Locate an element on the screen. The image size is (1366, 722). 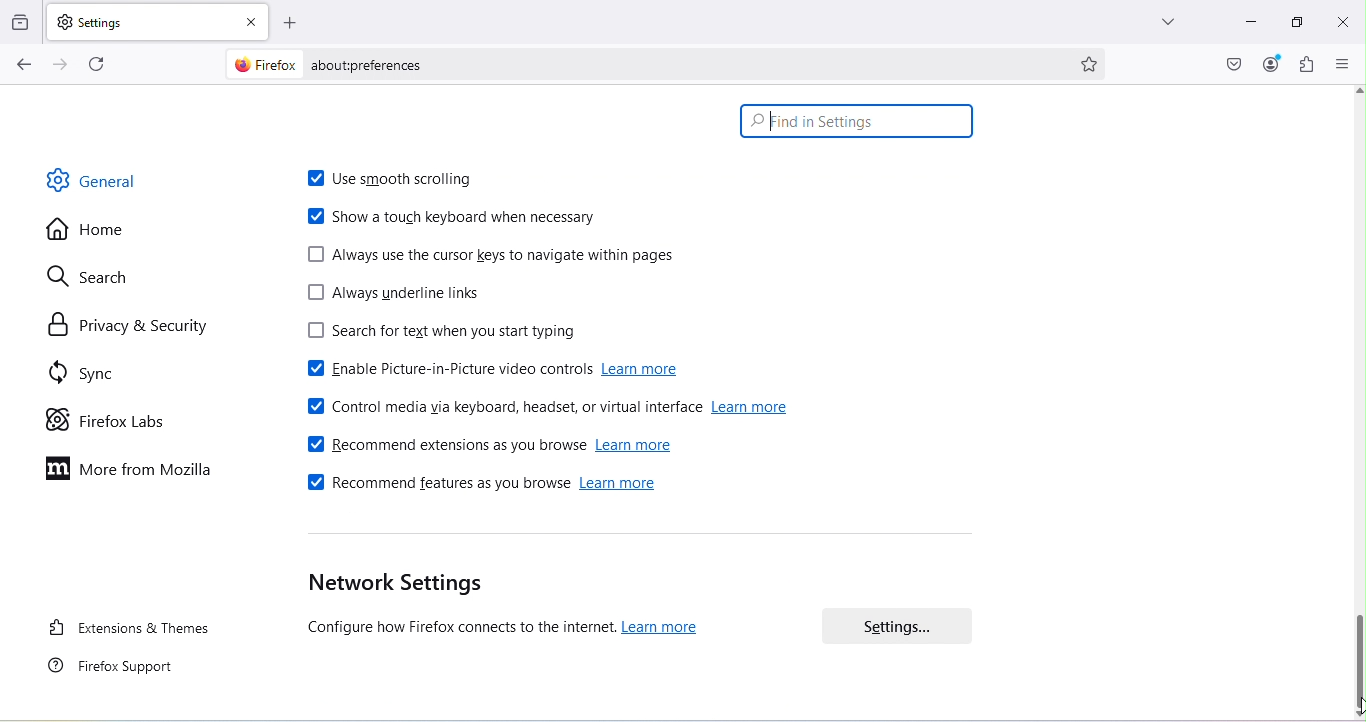
General is located at coordinates (99, 183).